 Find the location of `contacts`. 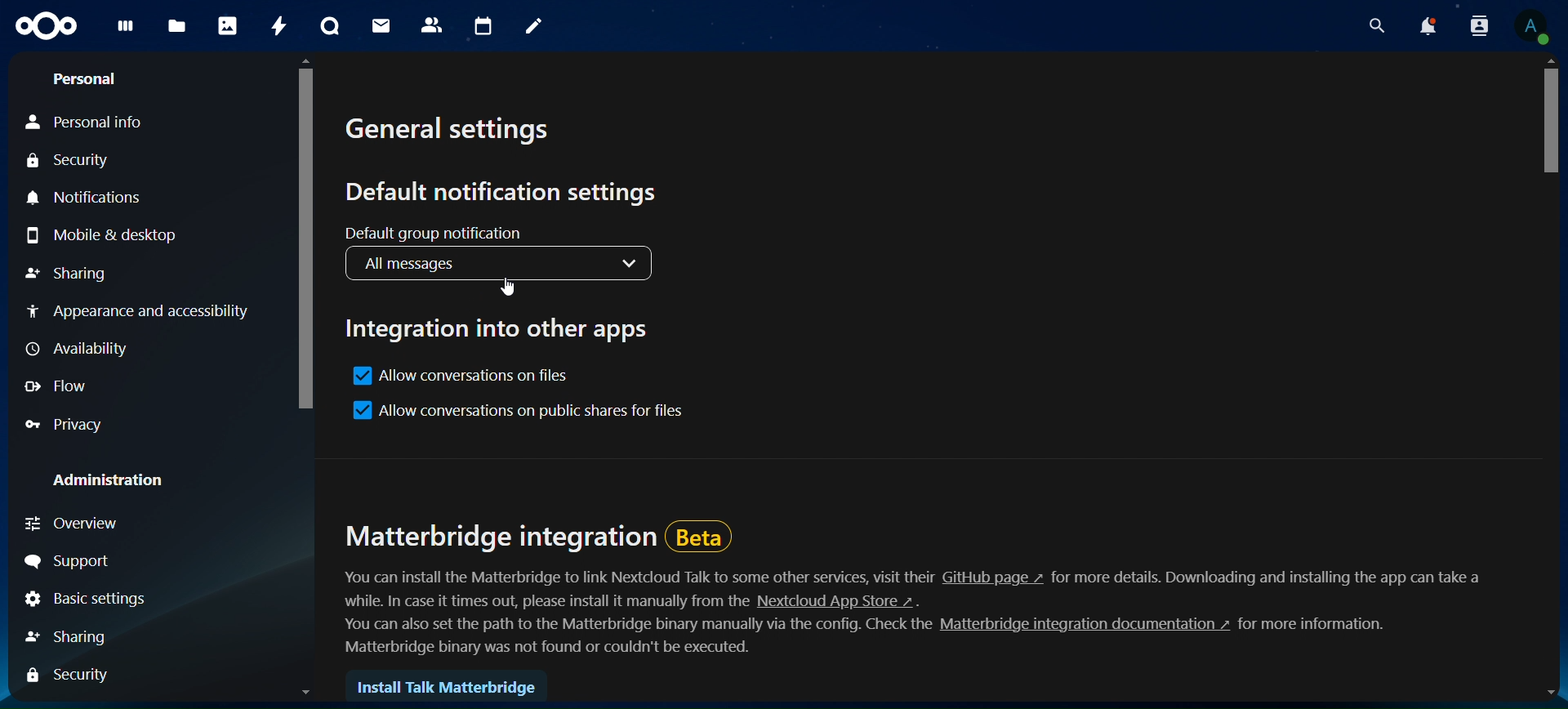

contacts is located at coordinates (432, 26).